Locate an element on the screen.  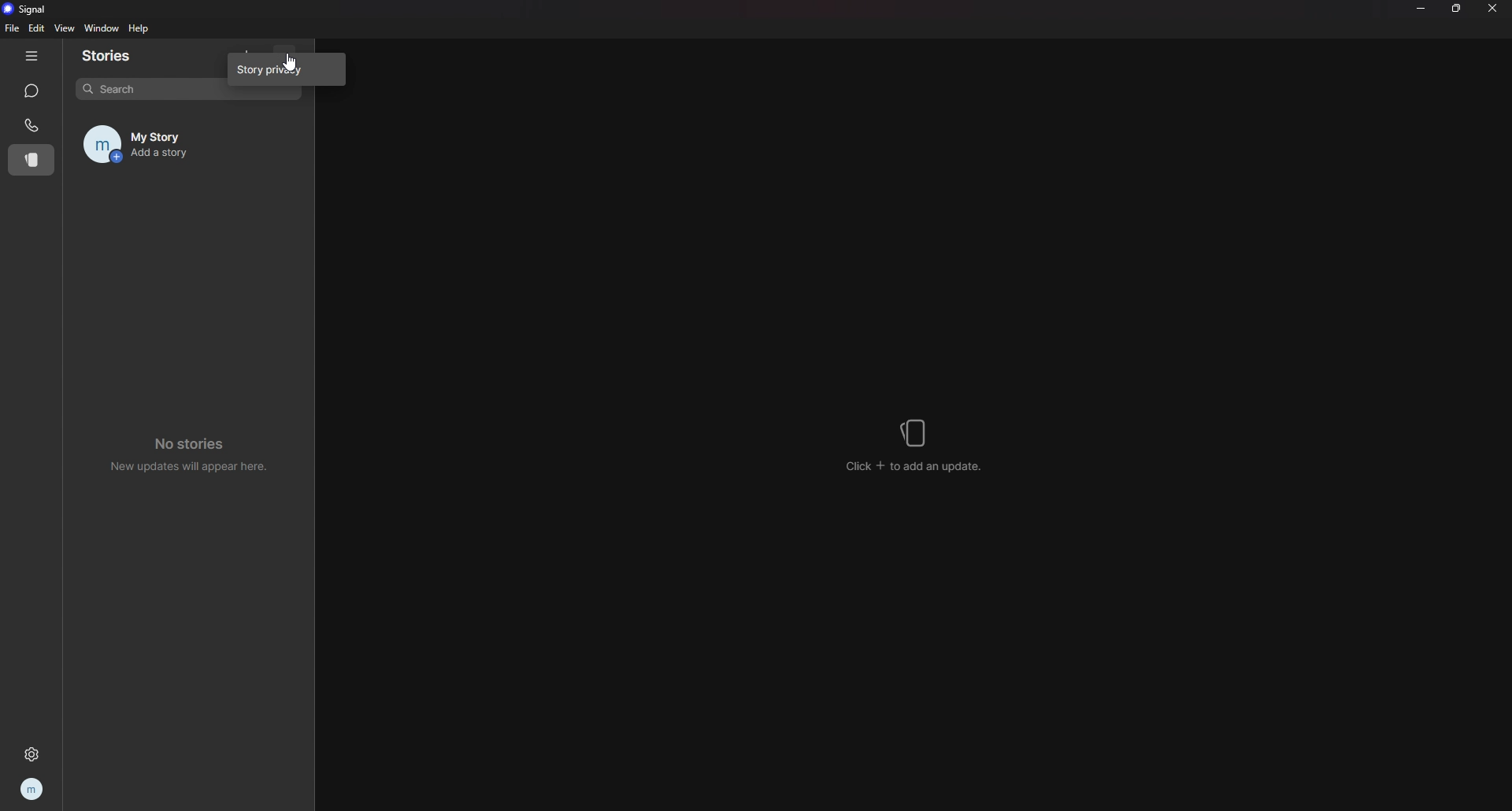
my story add a story is located at coordinates (168, 144).